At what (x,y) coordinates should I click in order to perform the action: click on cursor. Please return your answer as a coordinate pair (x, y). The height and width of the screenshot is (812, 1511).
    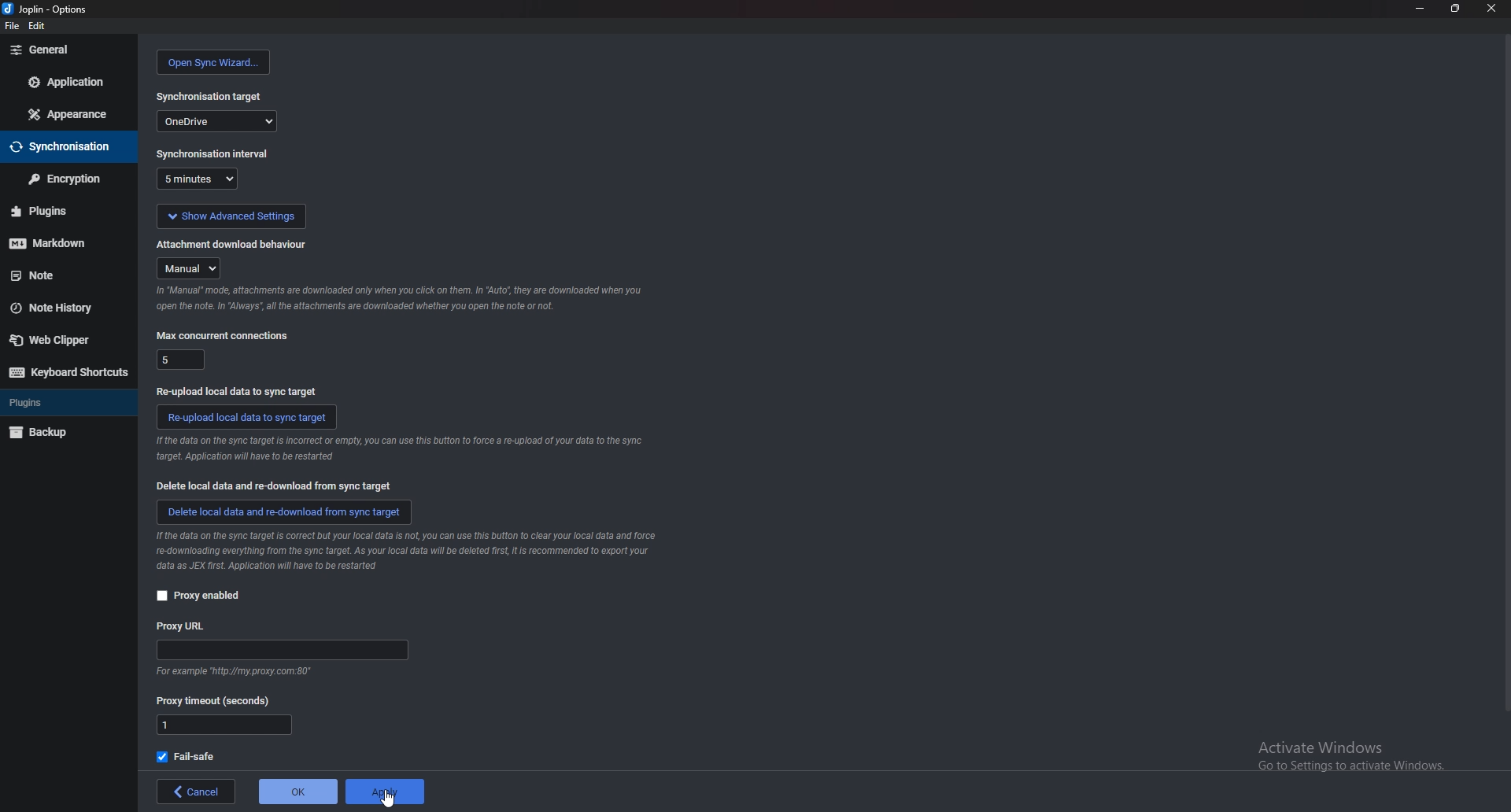
    Looking at the image, I should click on (386, 797).